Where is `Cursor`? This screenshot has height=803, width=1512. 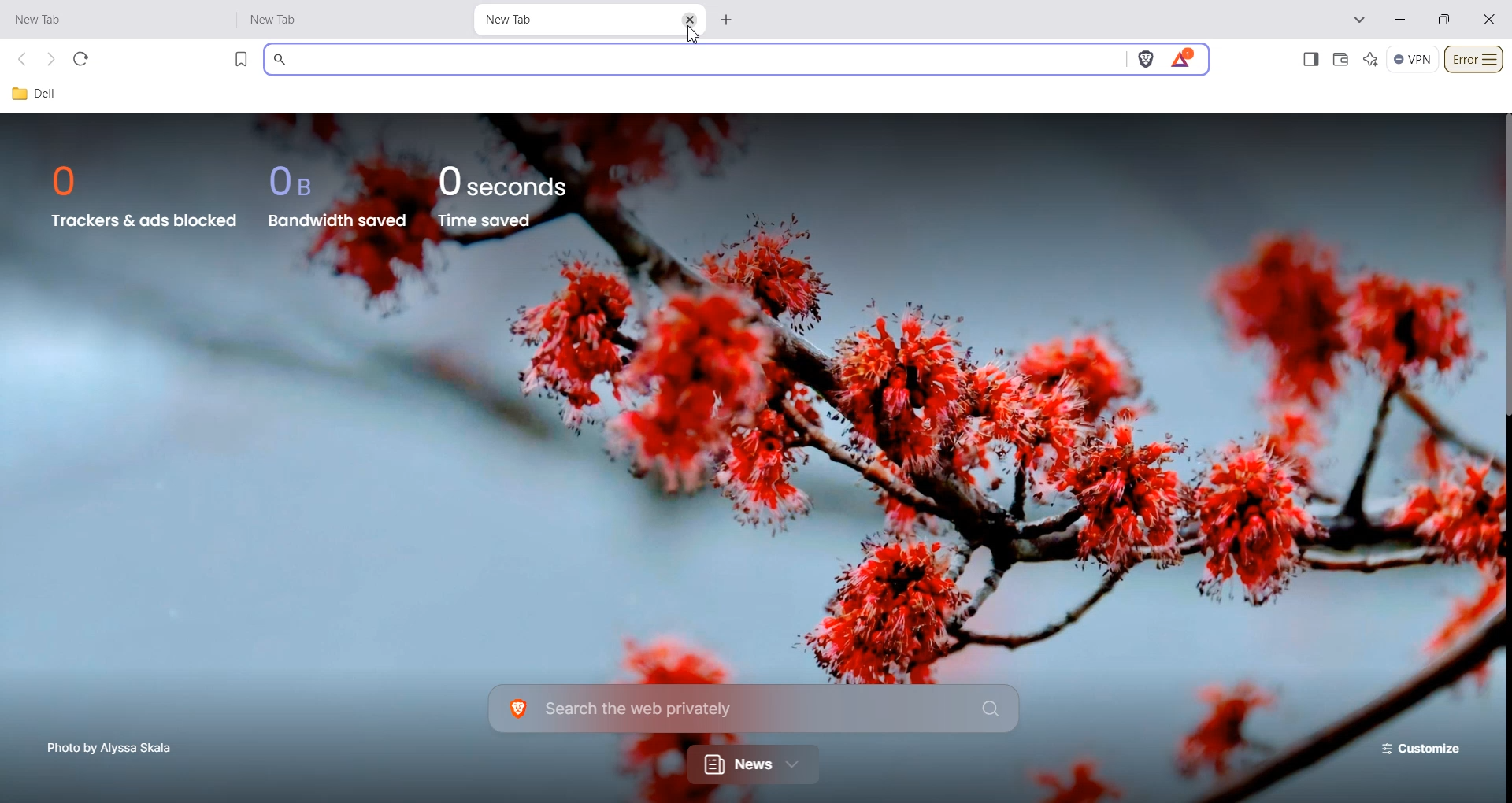
Cursor is located at coordinates (692, 35).